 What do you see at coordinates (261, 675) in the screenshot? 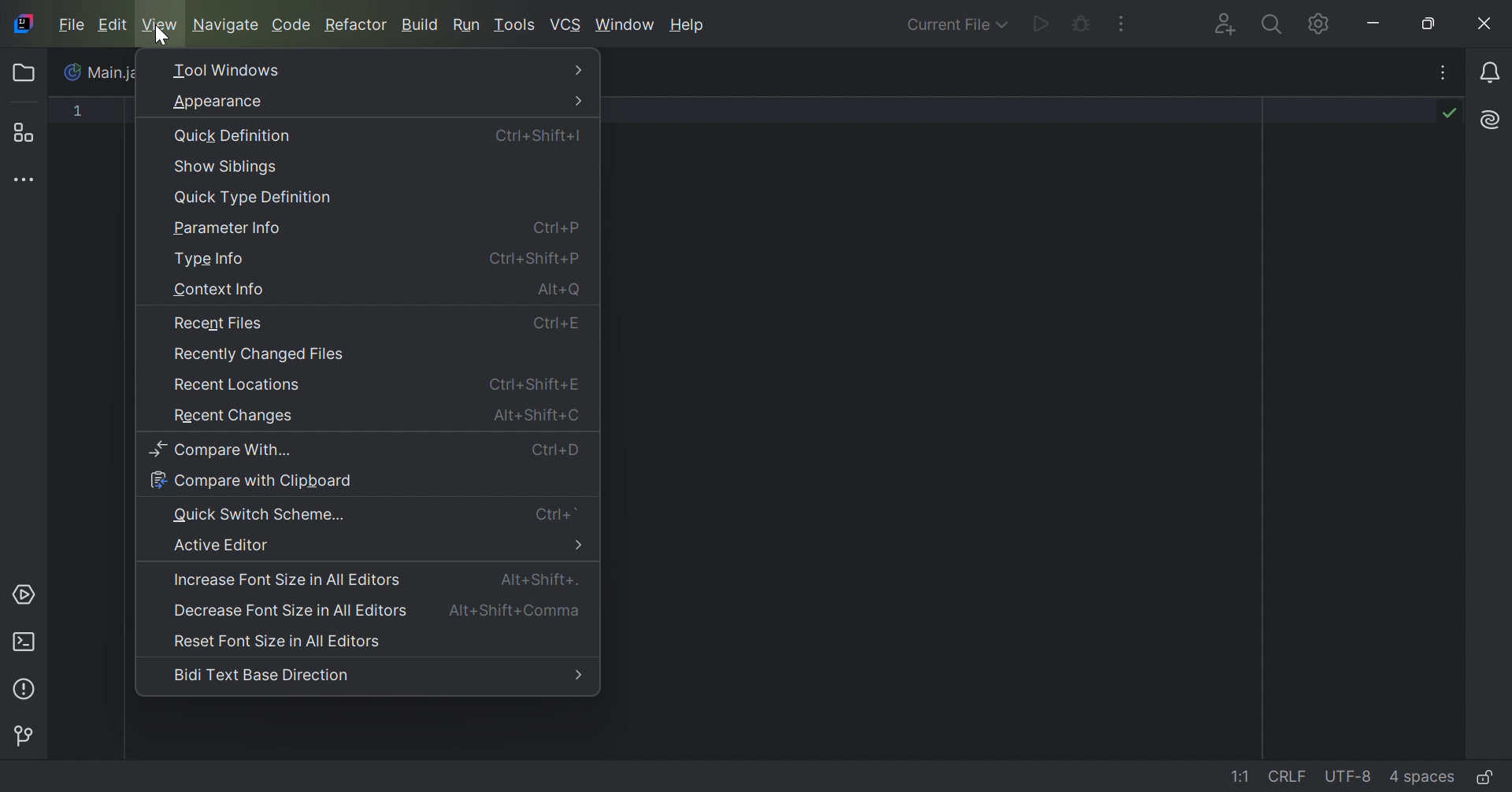
I see `Bidi Text Base Direction` at bounding box center [261, 675].